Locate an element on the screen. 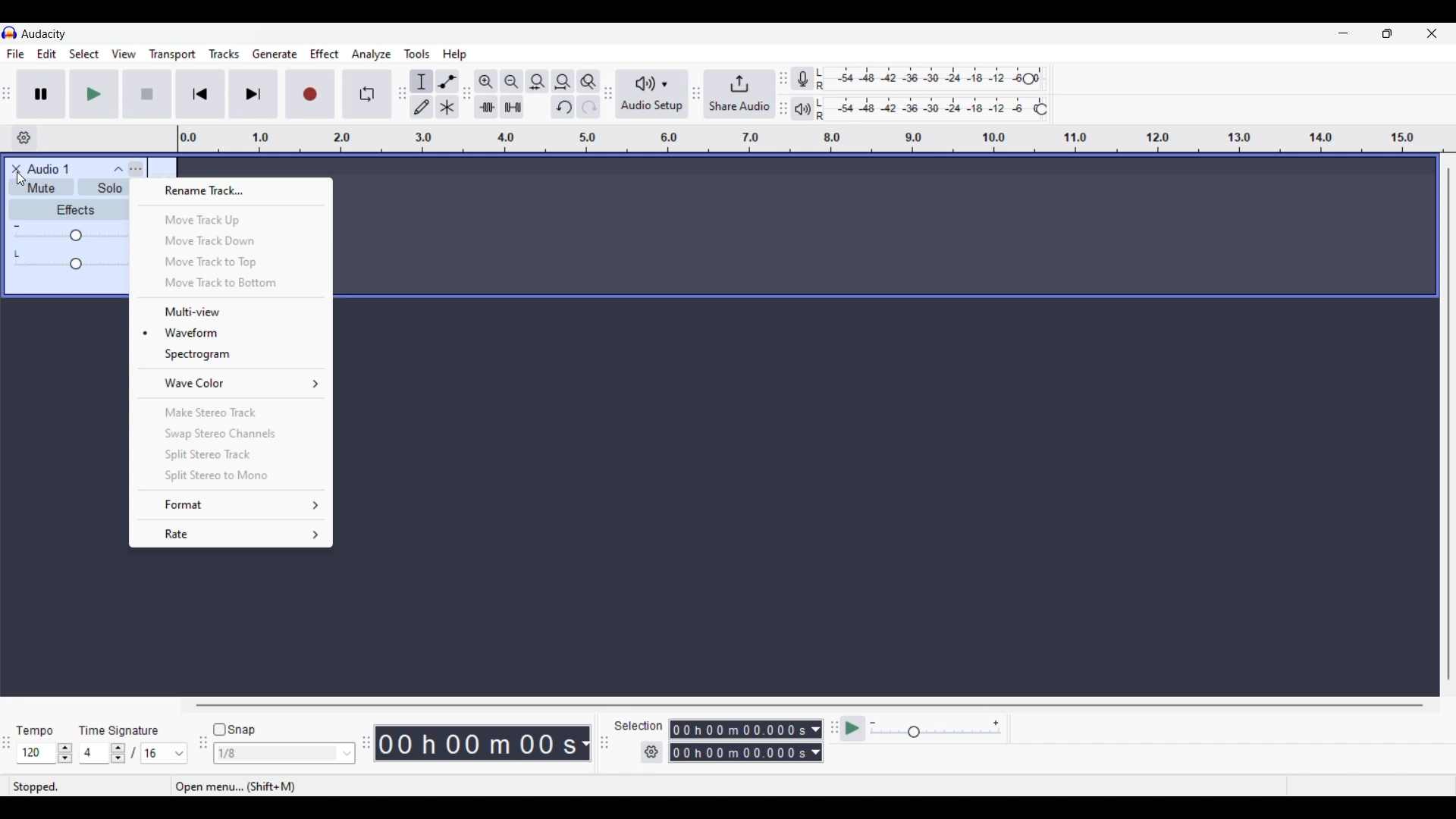 This screenshot has width=1456, height=819. Waveform view, current selection is located at coordinates (231, 332).